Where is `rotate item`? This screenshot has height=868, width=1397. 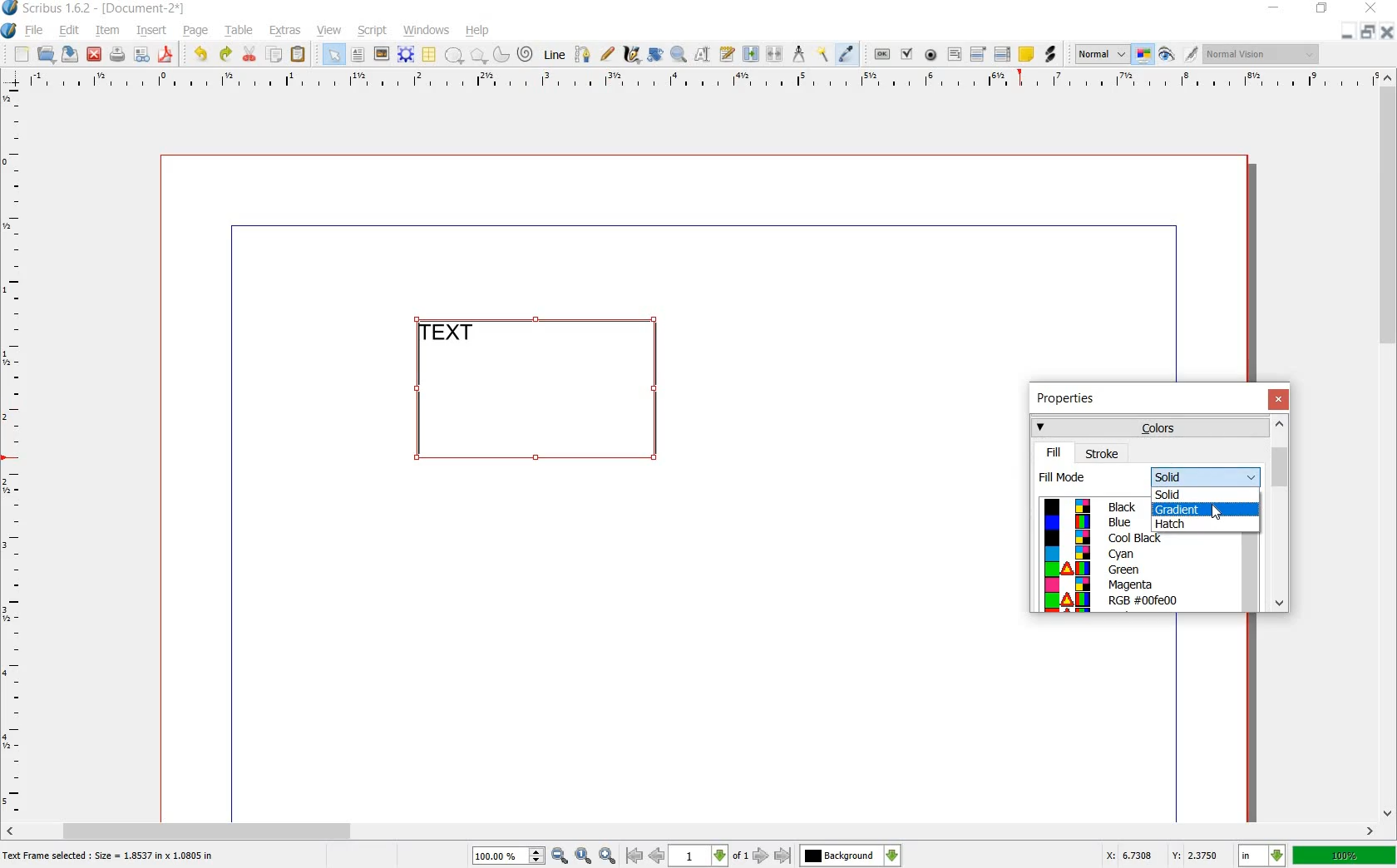 rotate item is located at coordinates (656, 55).